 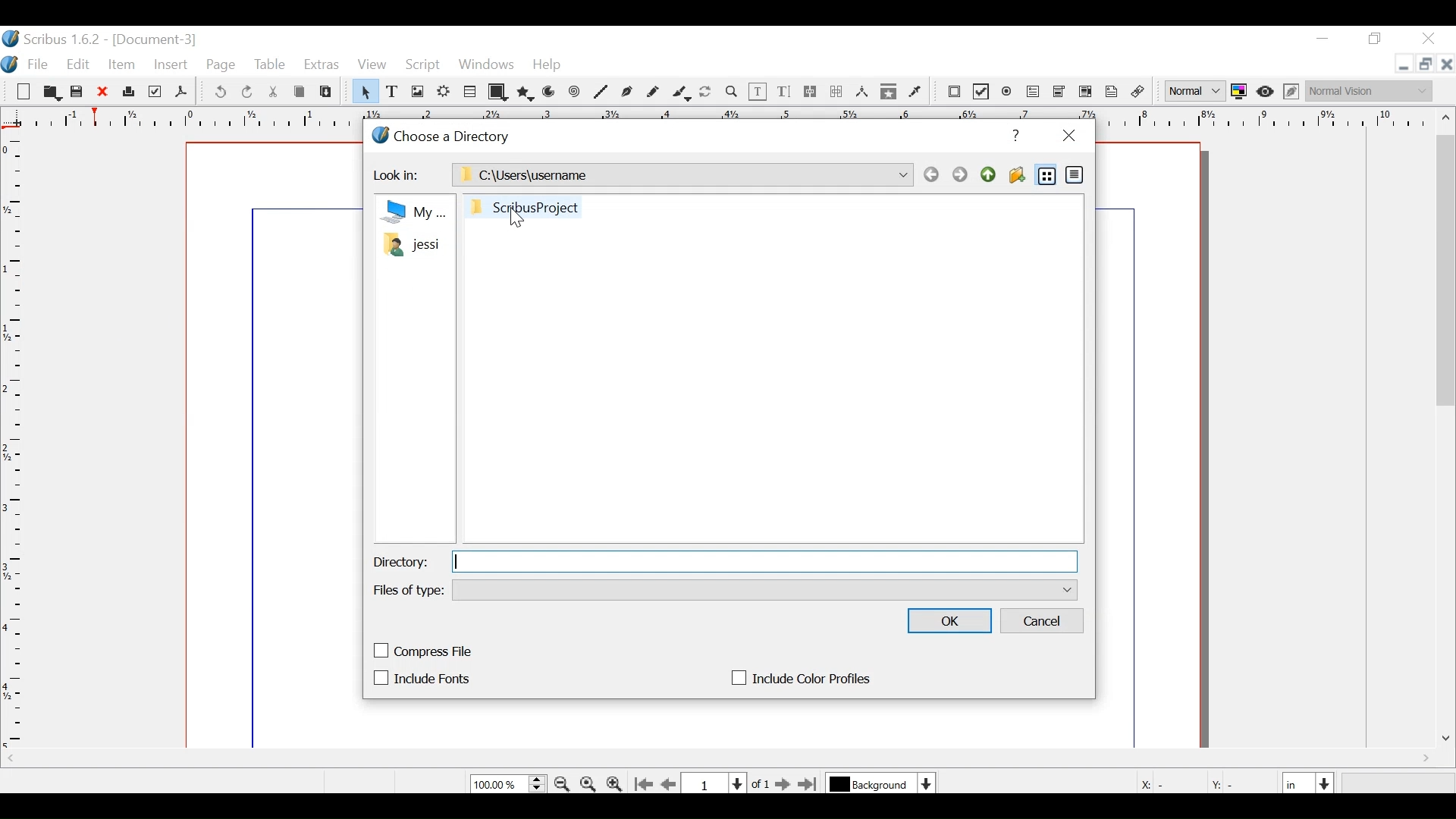 What do you see at coordinates (1144, 782) in the screenshot?
I see `X:` at bounding box center [1144, 782].